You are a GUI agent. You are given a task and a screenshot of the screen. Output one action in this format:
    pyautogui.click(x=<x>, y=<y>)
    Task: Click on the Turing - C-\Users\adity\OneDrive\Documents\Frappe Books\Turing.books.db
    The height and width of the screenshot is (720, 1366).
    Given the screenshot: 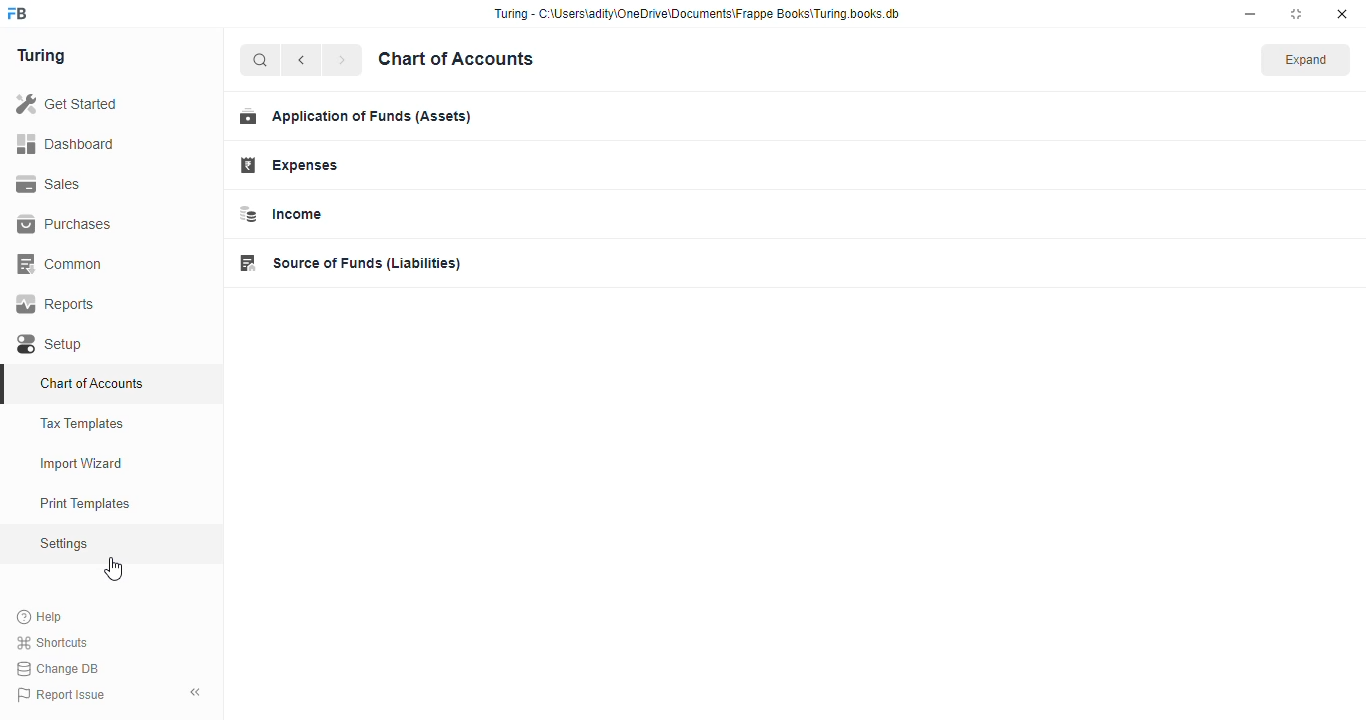 What is the action you would take?
    pyautogui.click(x=698, y=12)
    